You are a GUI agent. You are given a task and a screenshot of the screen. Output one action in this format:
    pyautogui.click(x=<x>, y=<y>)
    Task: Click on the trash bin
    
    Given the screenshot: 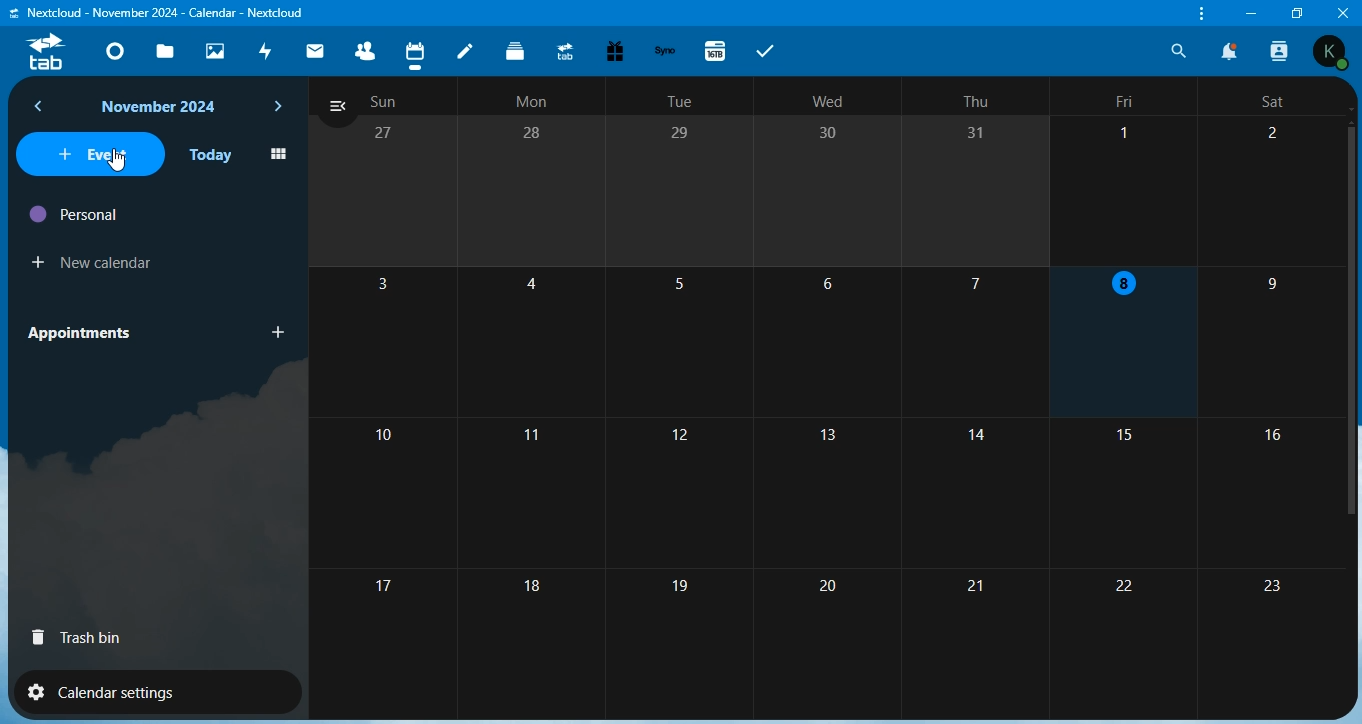 What is the action you would take?
    pyautogui.click(x=74, y=638)
    